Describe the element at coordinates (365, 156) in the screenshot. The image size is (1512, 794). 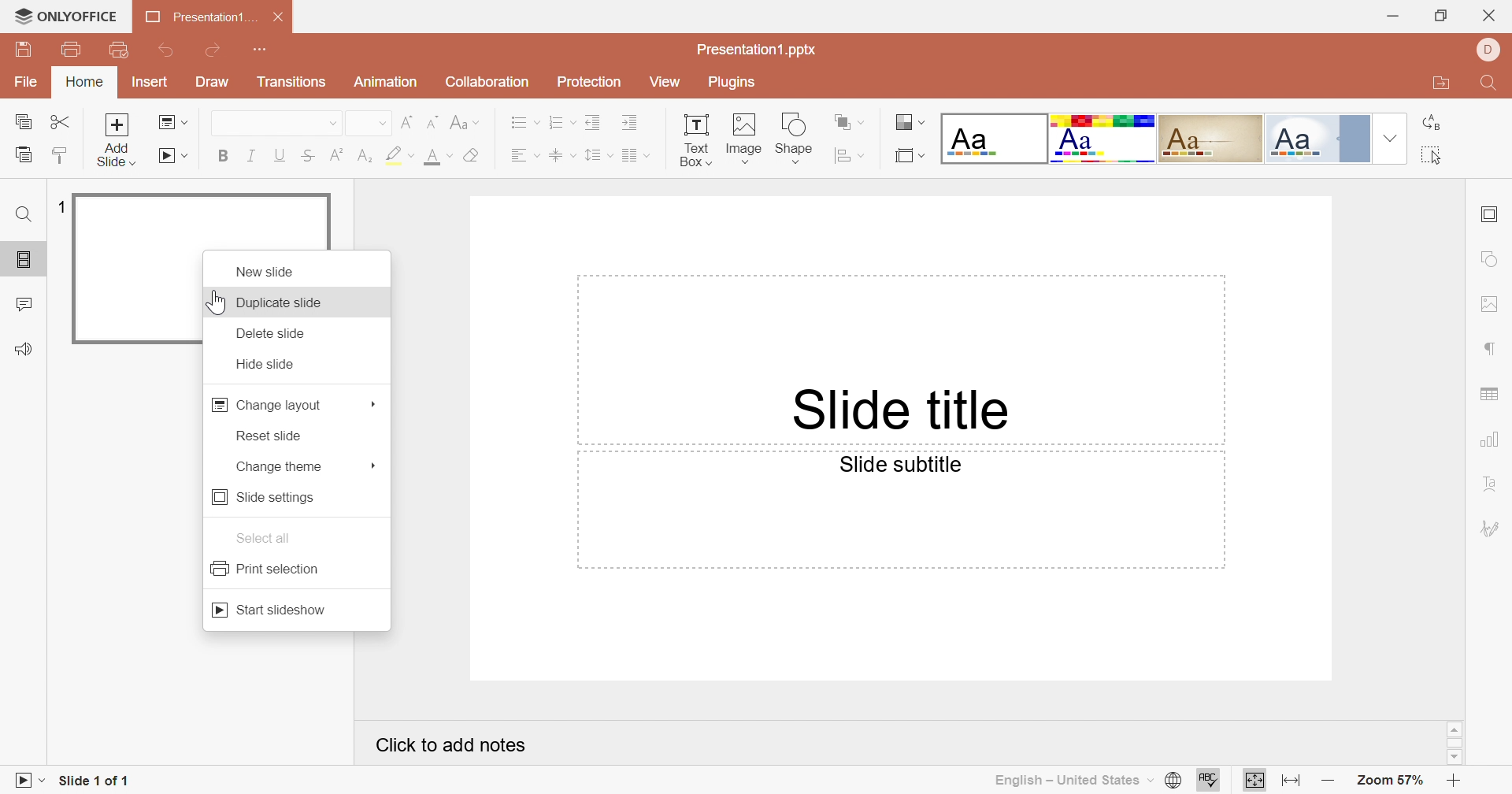
I see `Subscript` at that location.